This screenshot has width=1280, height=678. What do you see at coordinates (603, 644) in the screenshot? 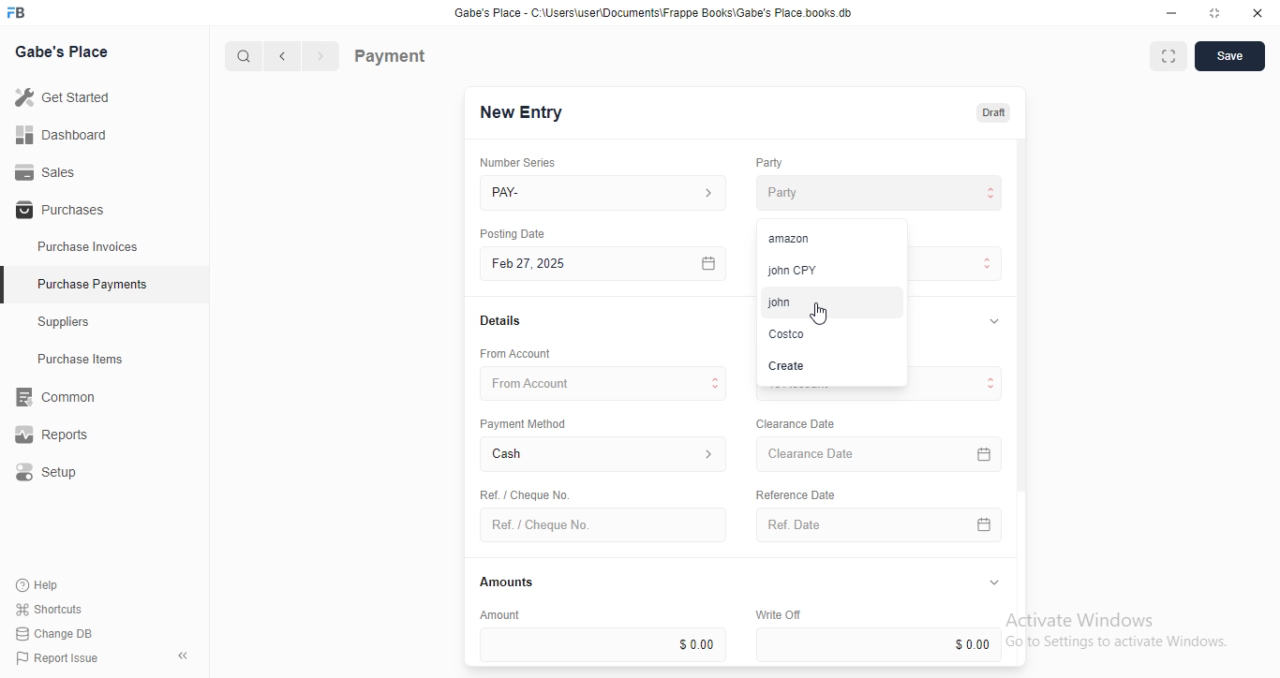
I see `$0.00` at bounding box center [603, 644].